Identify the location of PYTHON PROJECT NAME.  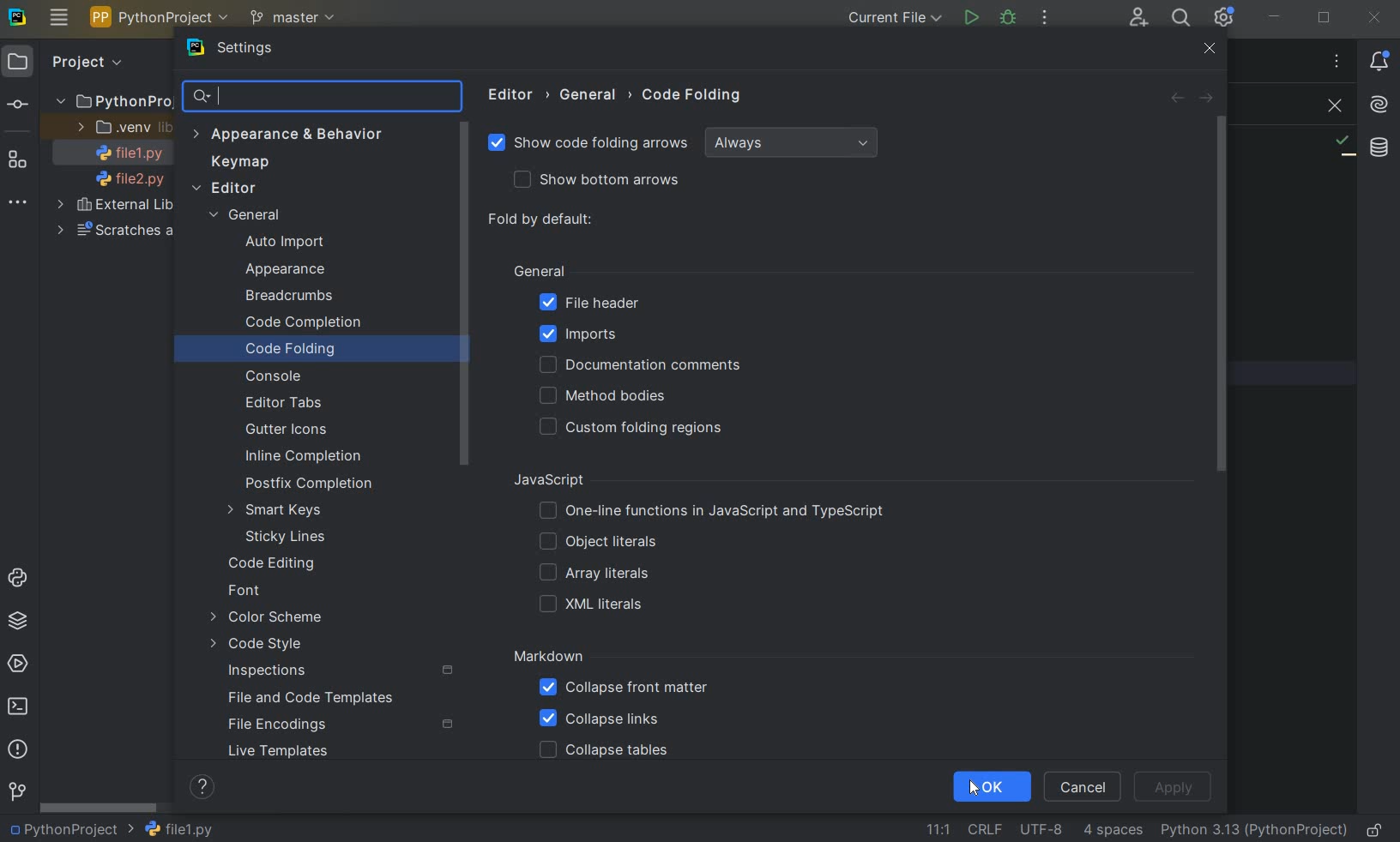
(162, 19).